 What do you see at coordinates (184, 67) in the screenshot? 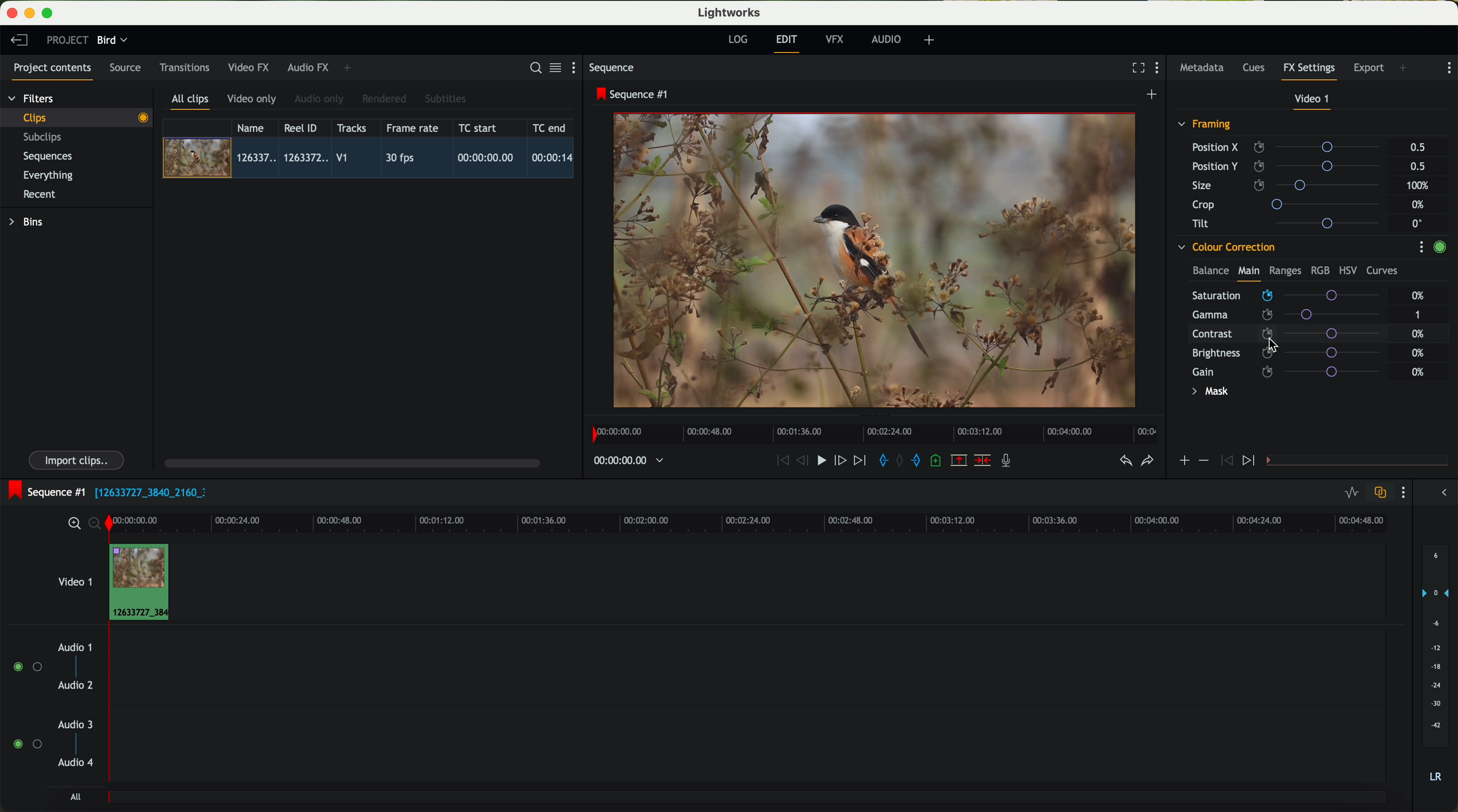
I see `transitions` at bounding box center [184, 67].